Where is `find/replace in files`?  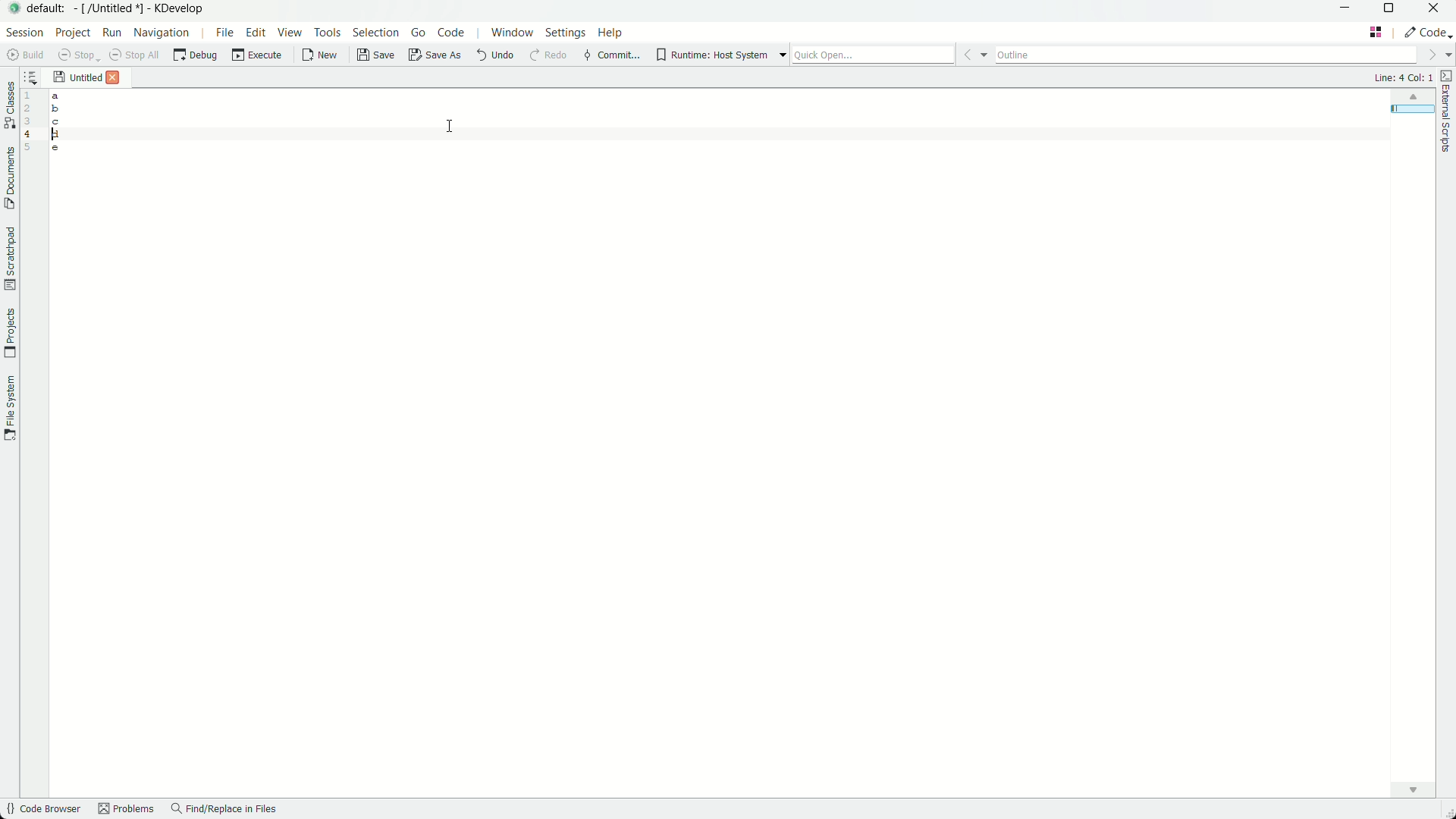
find/replace in files is located at coordinates (227, 811).